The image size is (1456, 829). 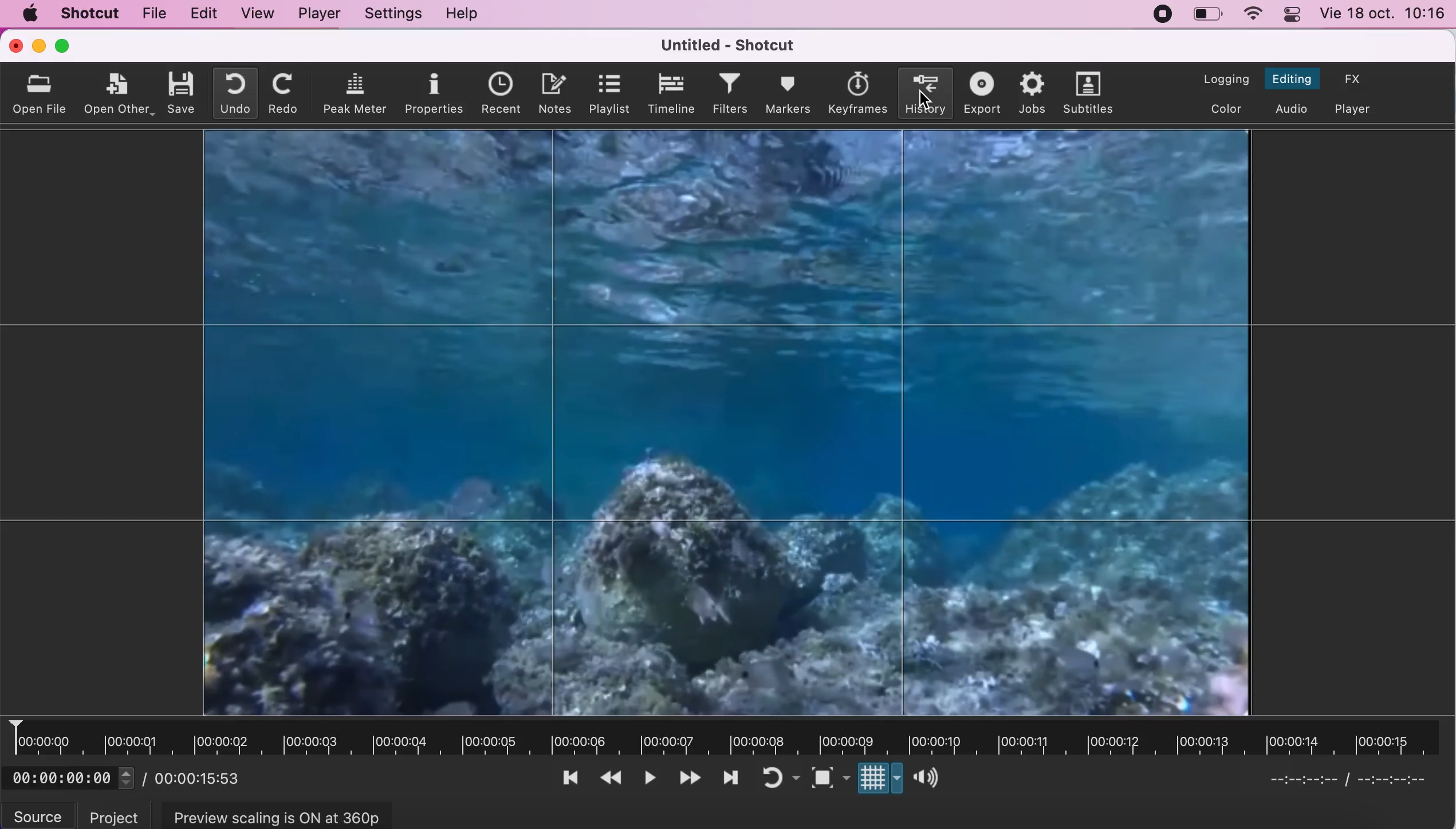 What do you see at coordinates (74, 779) in the screenshot?
I see `00:00:00:00` at bounding box center [74, 779].